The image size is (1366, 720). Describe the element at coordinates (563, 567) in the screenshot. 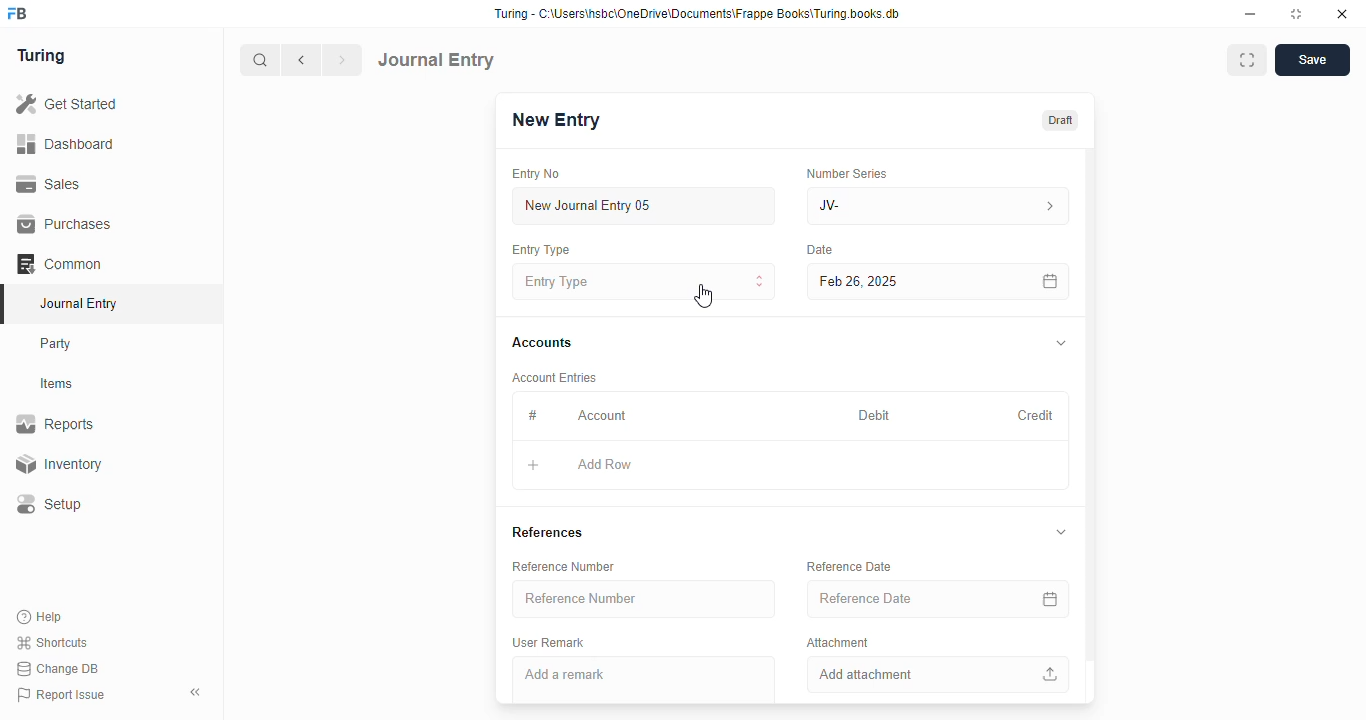

I see `reference number` at that location.